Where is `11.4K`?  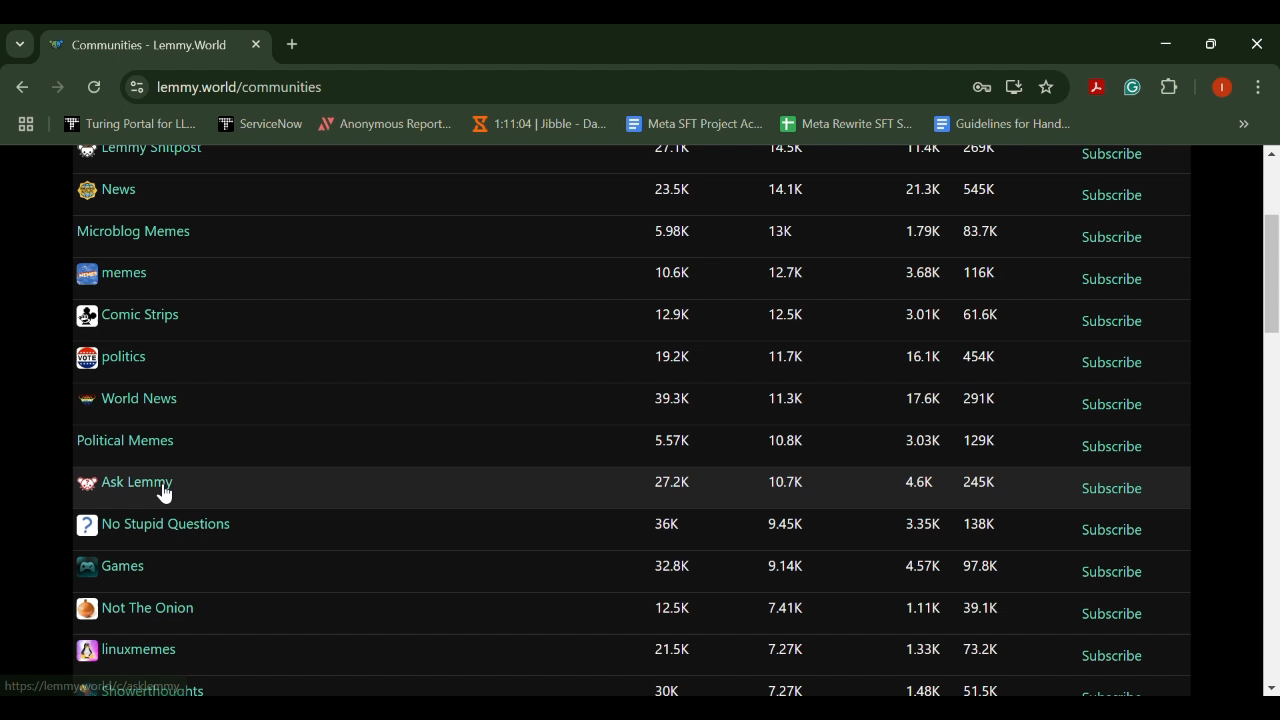 11.4K is located at coordinates (922, 148).